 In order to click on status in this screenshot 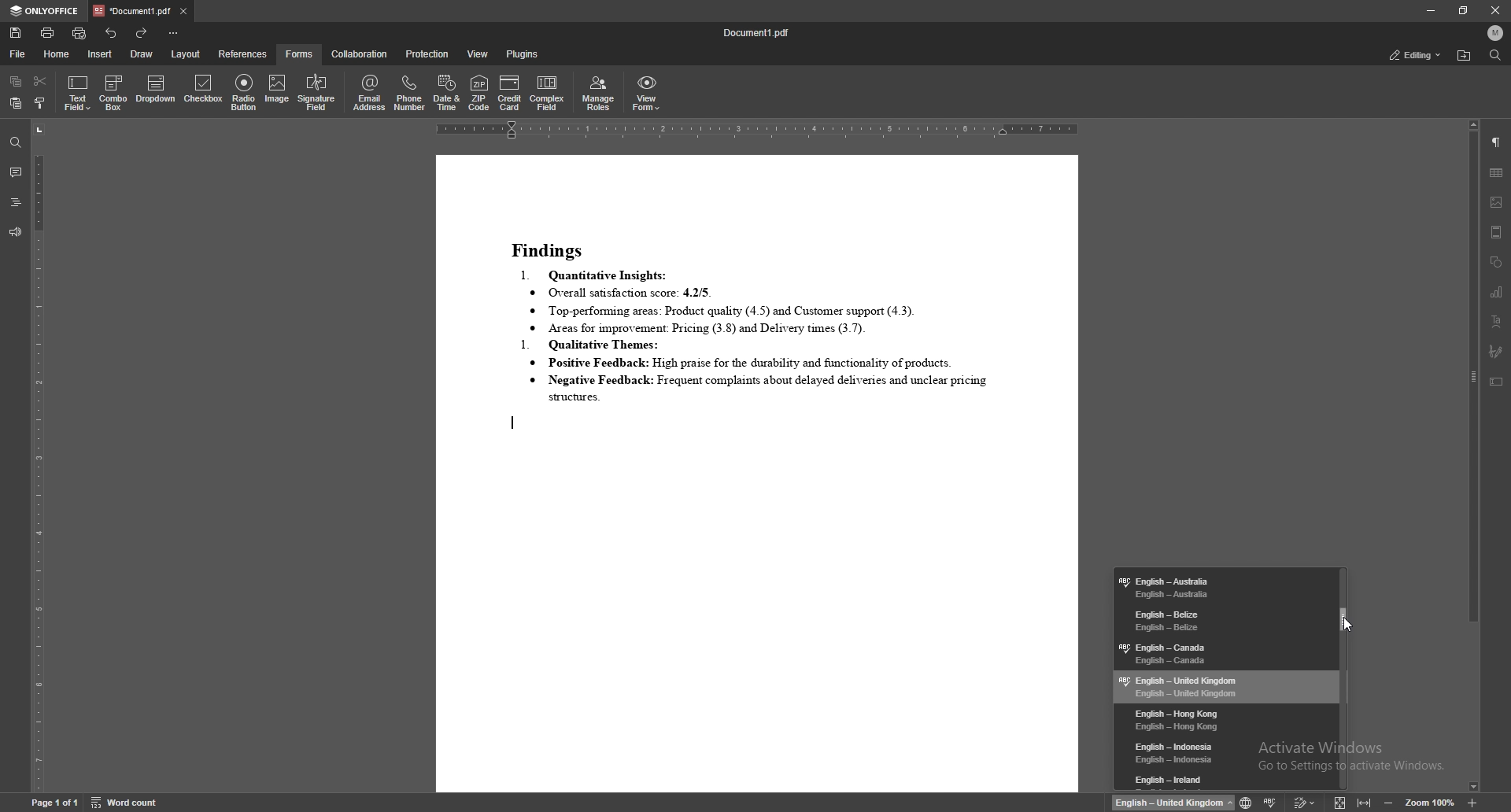, I will do `click(1416, 54)`.